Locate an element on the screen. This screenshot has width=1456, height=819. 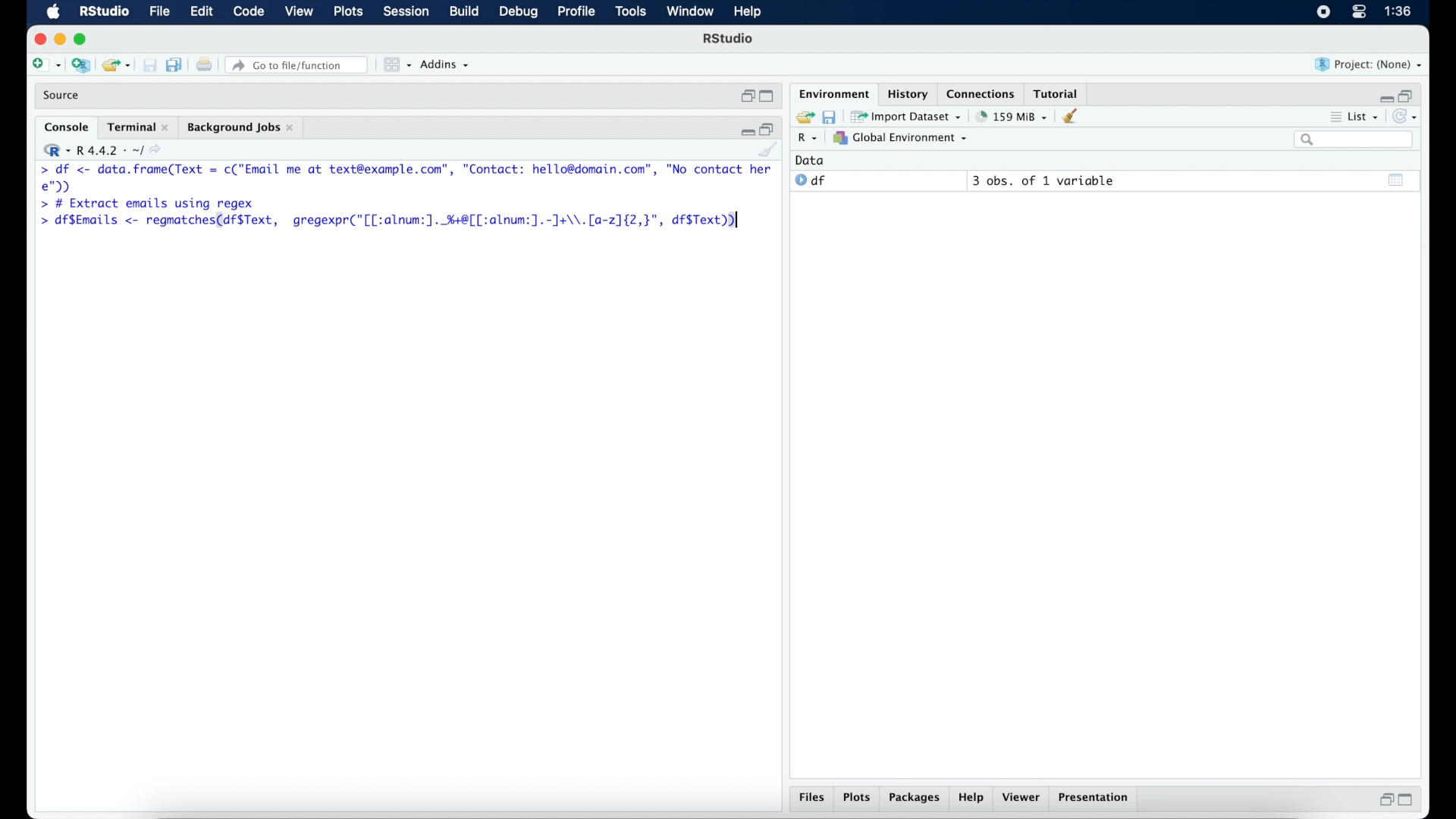
restore down is located at coordinates (770, 129).